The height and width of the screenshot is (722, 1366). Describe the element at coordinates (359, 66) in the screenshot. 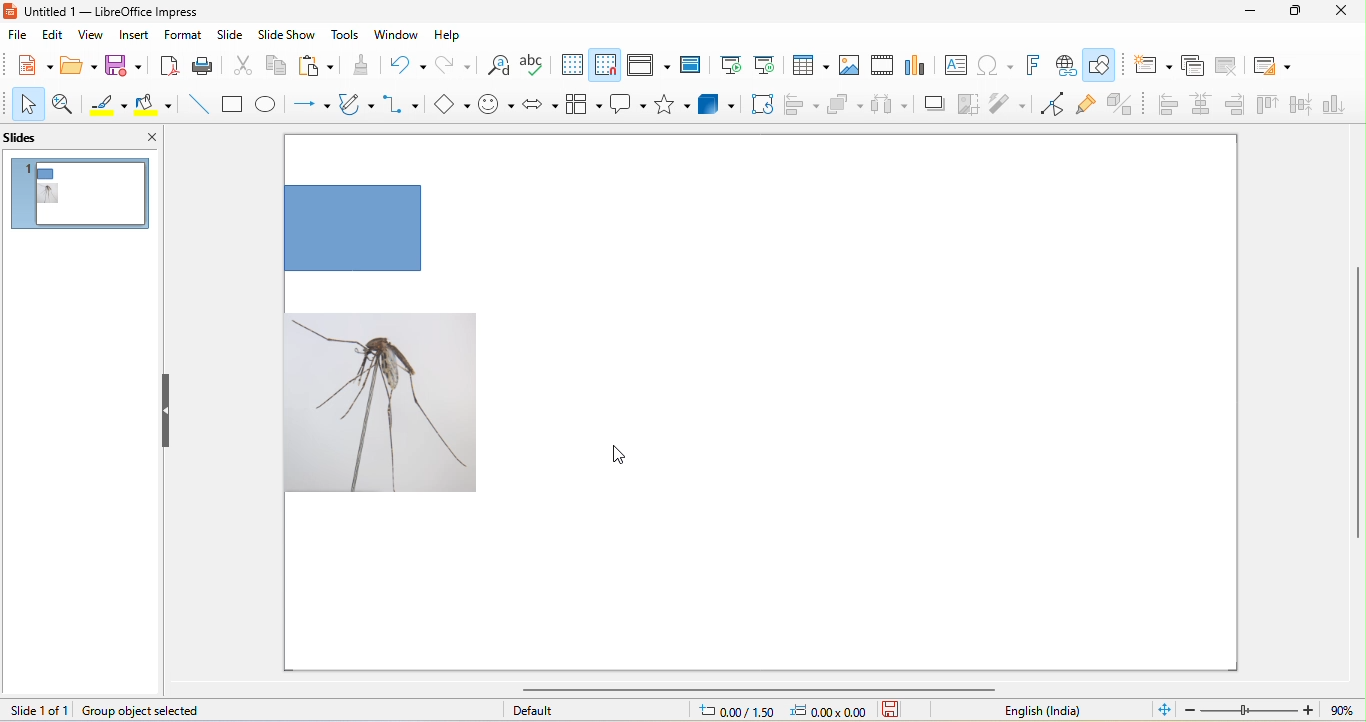

I see `clone formatting` at that location.